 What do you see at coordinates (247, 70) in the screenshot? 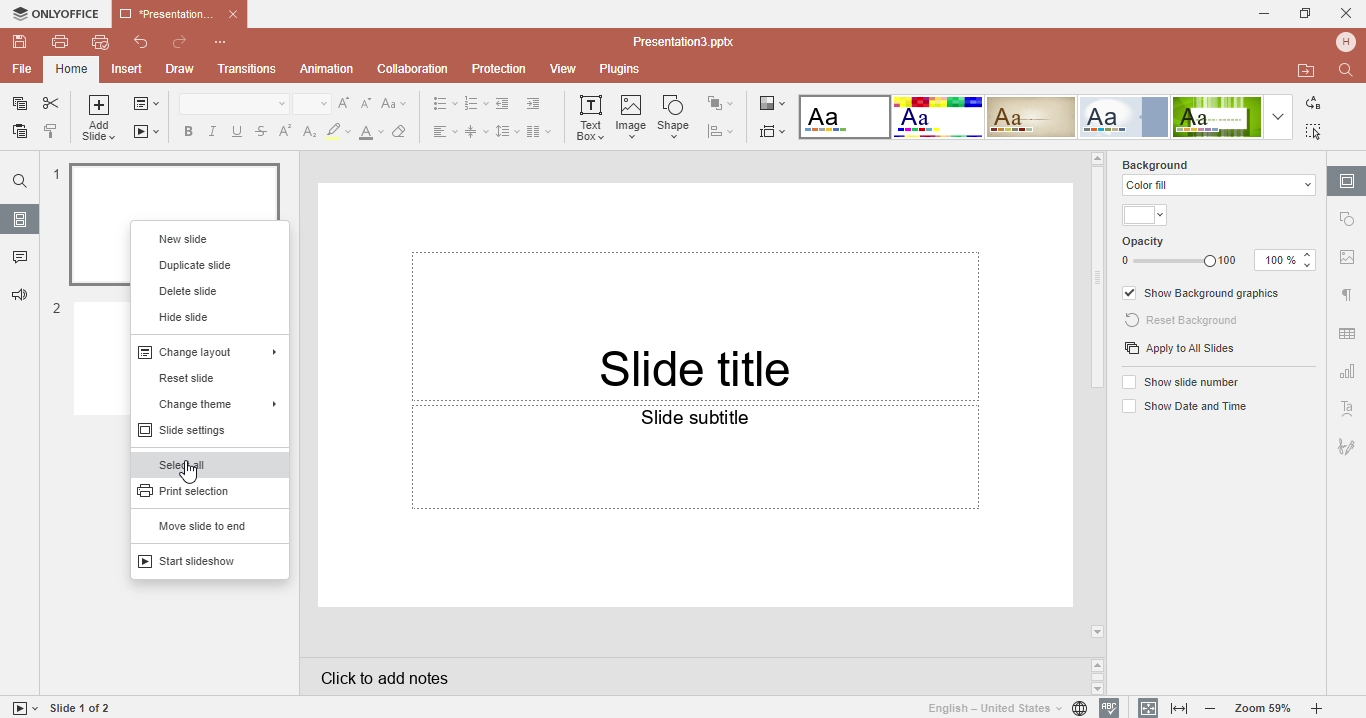
I see `Transitions` at bounding box center [247, 70].